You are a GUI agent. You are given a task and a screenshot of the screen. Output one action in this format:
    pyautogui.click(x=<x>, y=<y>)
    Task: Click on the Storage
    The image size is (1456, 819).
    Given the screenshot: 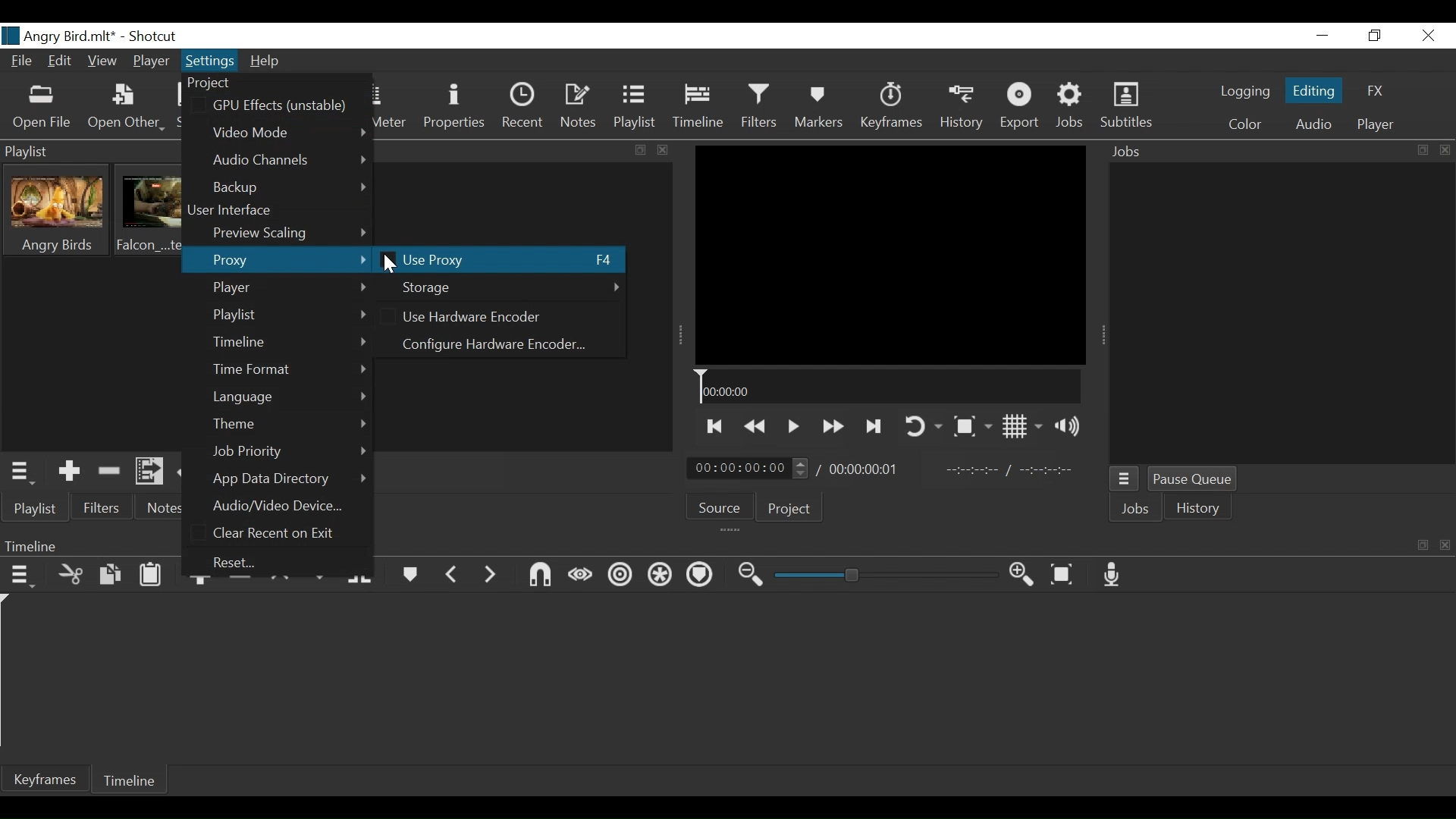 What is the action you would take?
    pyautogui.click(x=504, y=288)
    